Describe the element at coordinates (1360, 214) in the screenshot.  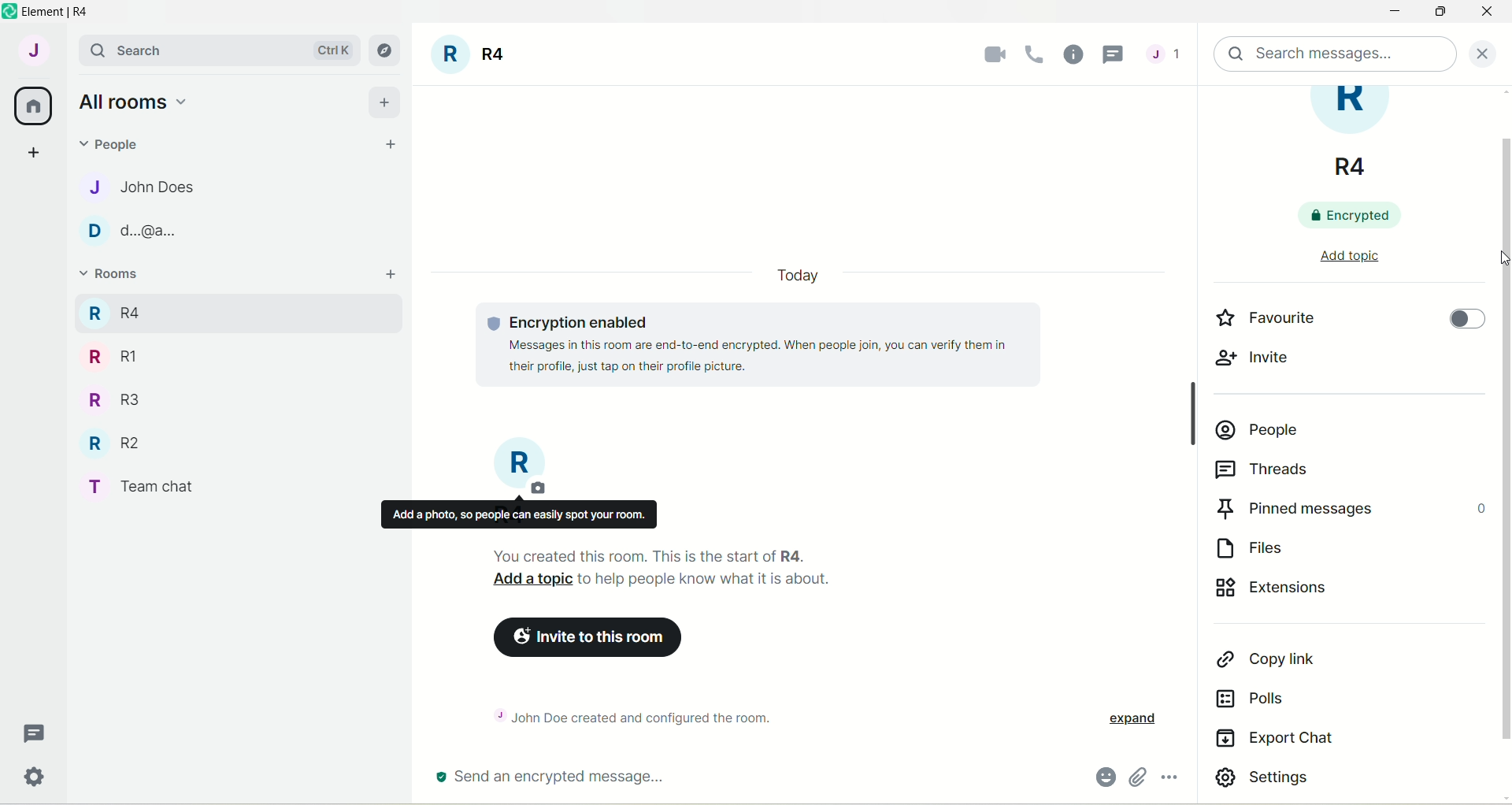
I see `encrypted` at that location.